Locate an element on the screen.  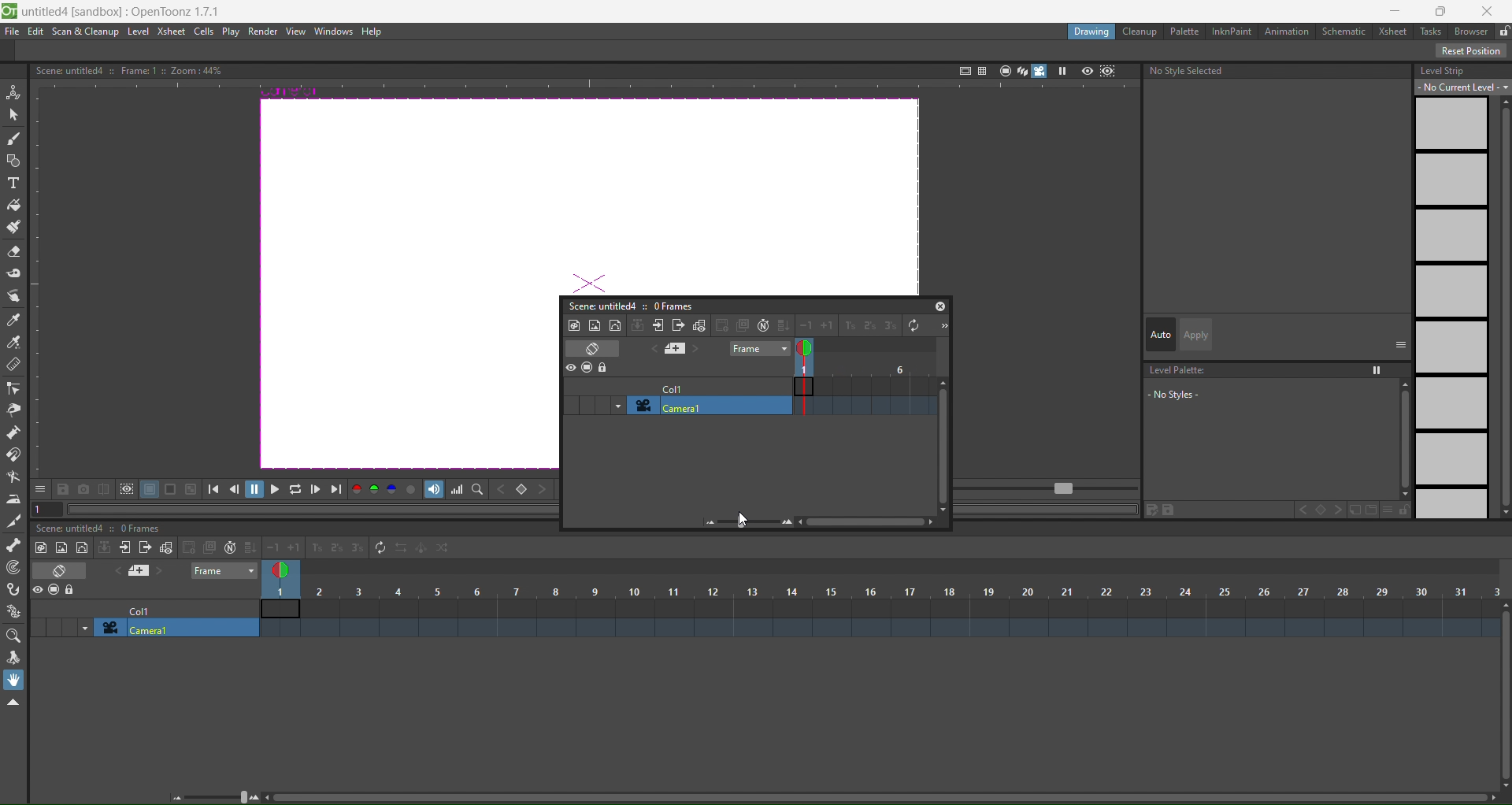
frame is located at coordinates (758, 349).